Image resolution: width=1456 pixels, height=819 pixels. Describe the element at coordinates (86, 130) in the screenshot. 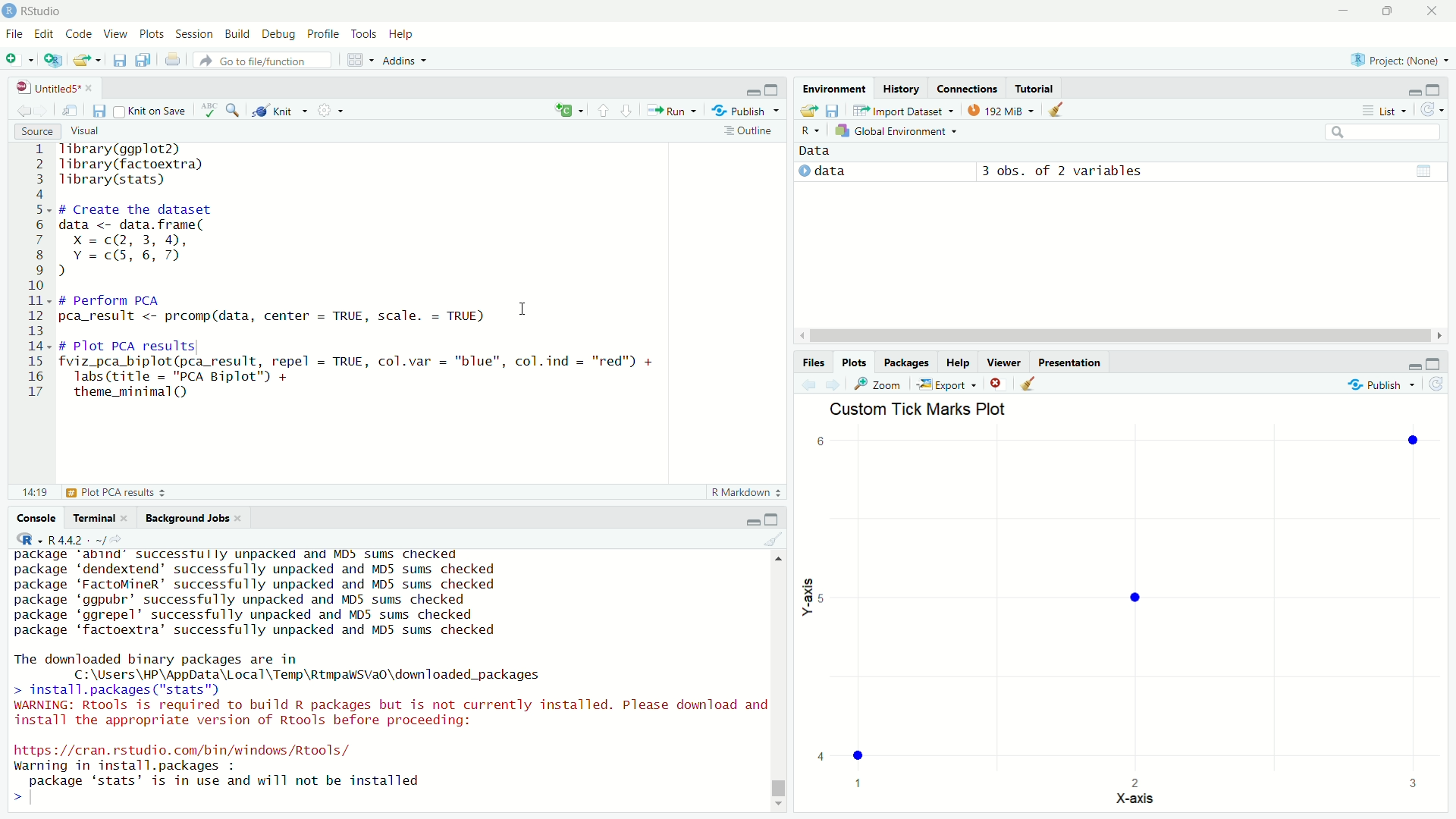

I see `visual` at that location.